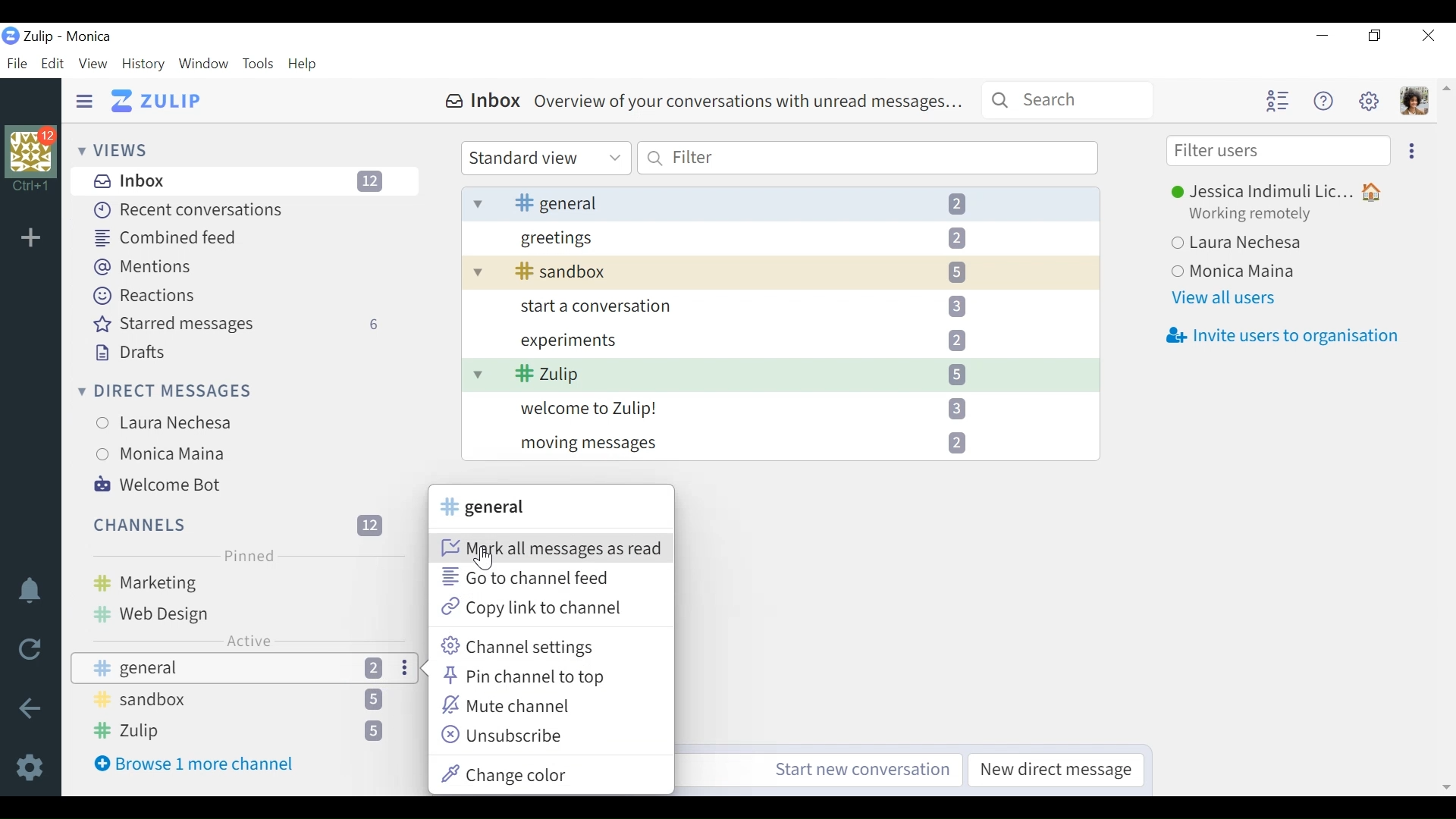 Image resolution: width=1456 pixels, height=819 pixels. Describe the element at coordinates (1227, 298) in the screenshot. I see `View all users` at that location.